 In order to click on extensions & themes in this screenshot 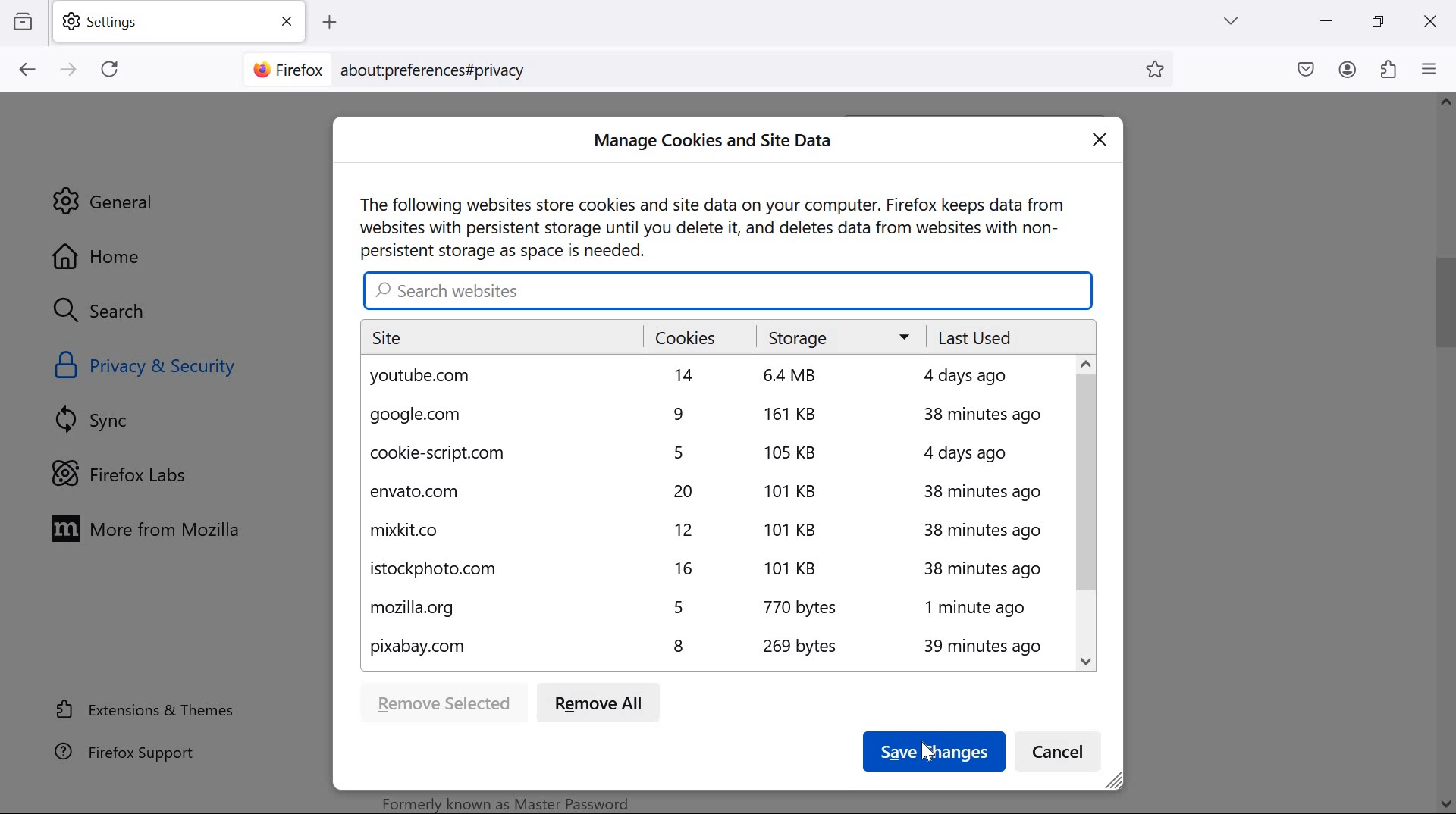, I will do `click(146, 709)`.